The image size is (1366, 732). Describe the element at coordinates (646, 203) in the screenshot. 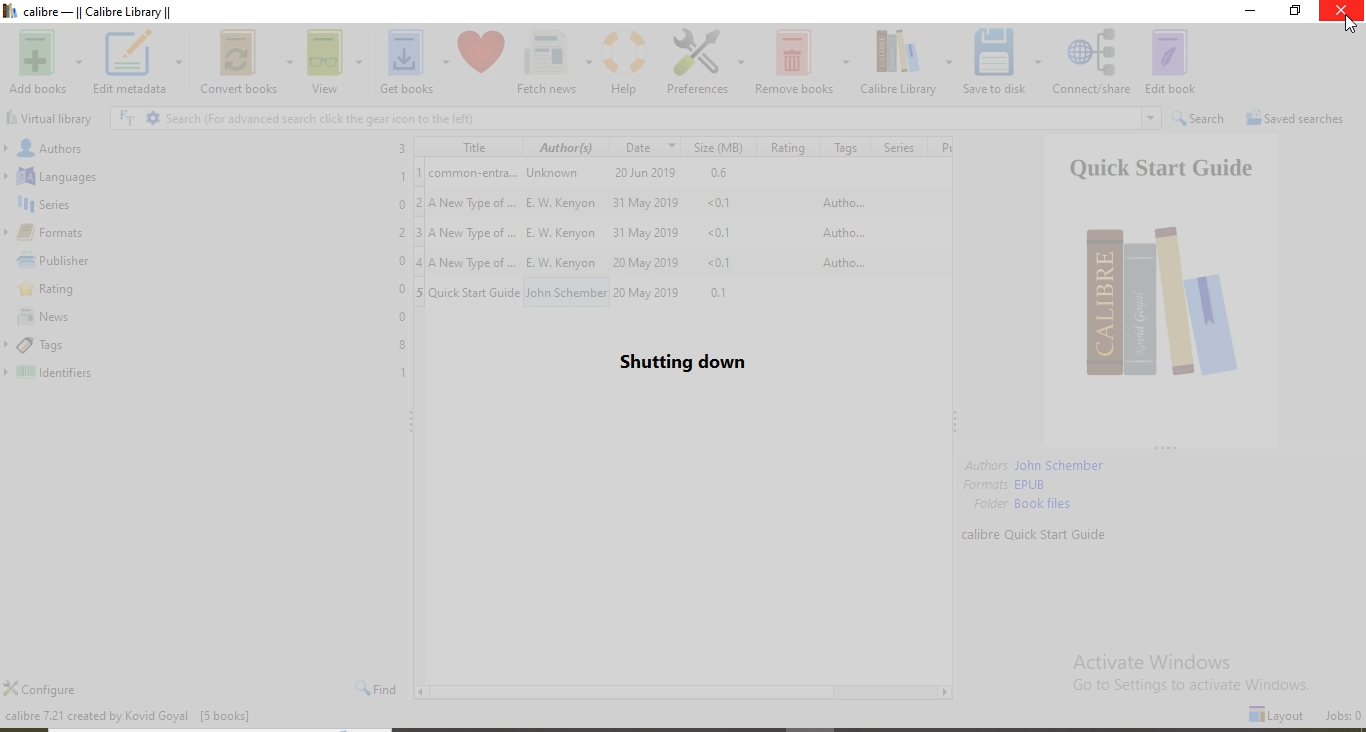

I see `31 May 2019` at that location.